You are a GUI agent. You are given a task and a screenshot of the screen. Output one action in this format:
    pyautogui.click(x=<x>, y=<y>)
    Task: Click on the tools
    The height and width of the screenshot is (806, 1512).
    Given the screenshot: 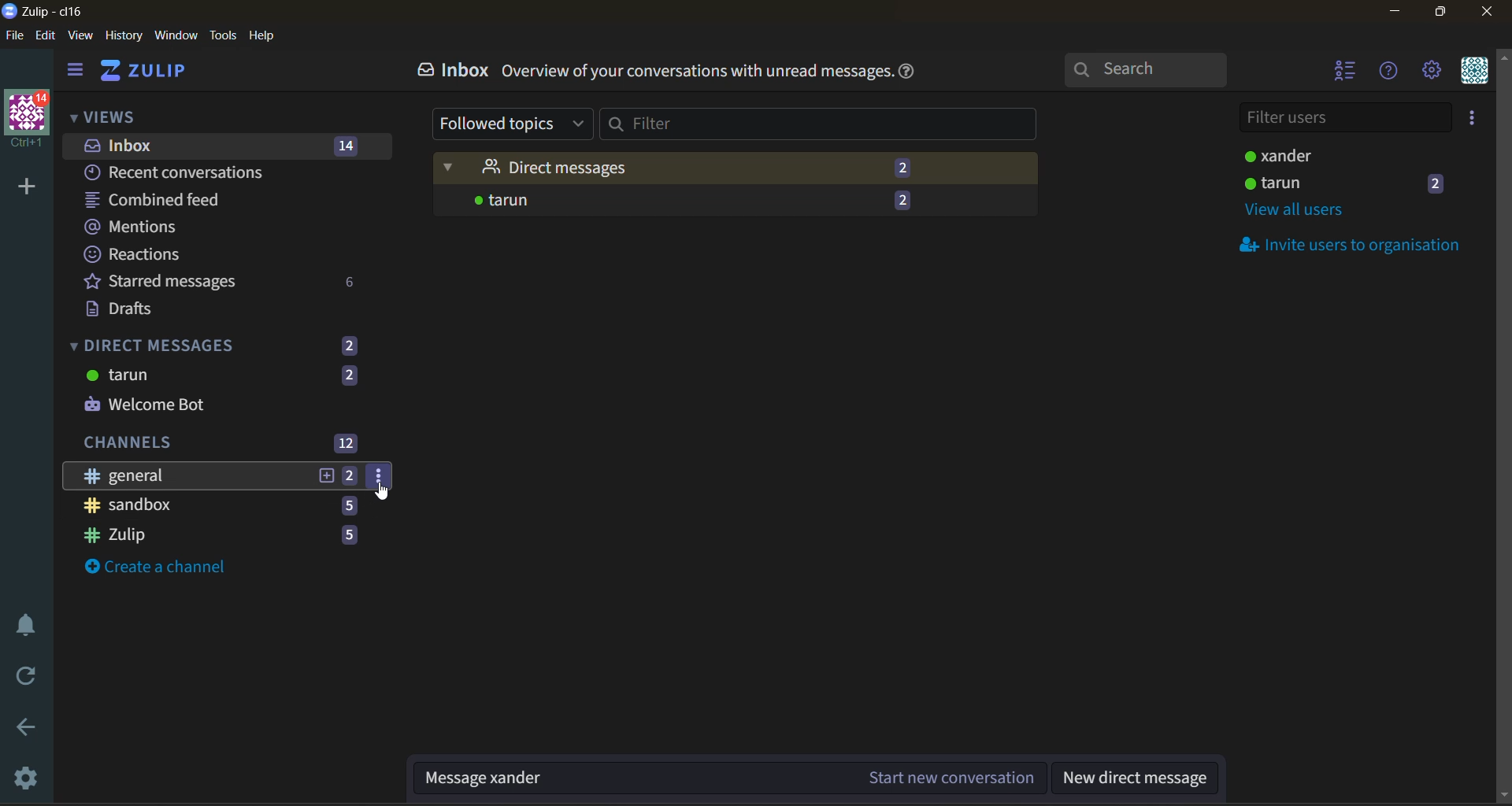 What is the action you would take?
    pyautogui.click(x=224, y=37)
    